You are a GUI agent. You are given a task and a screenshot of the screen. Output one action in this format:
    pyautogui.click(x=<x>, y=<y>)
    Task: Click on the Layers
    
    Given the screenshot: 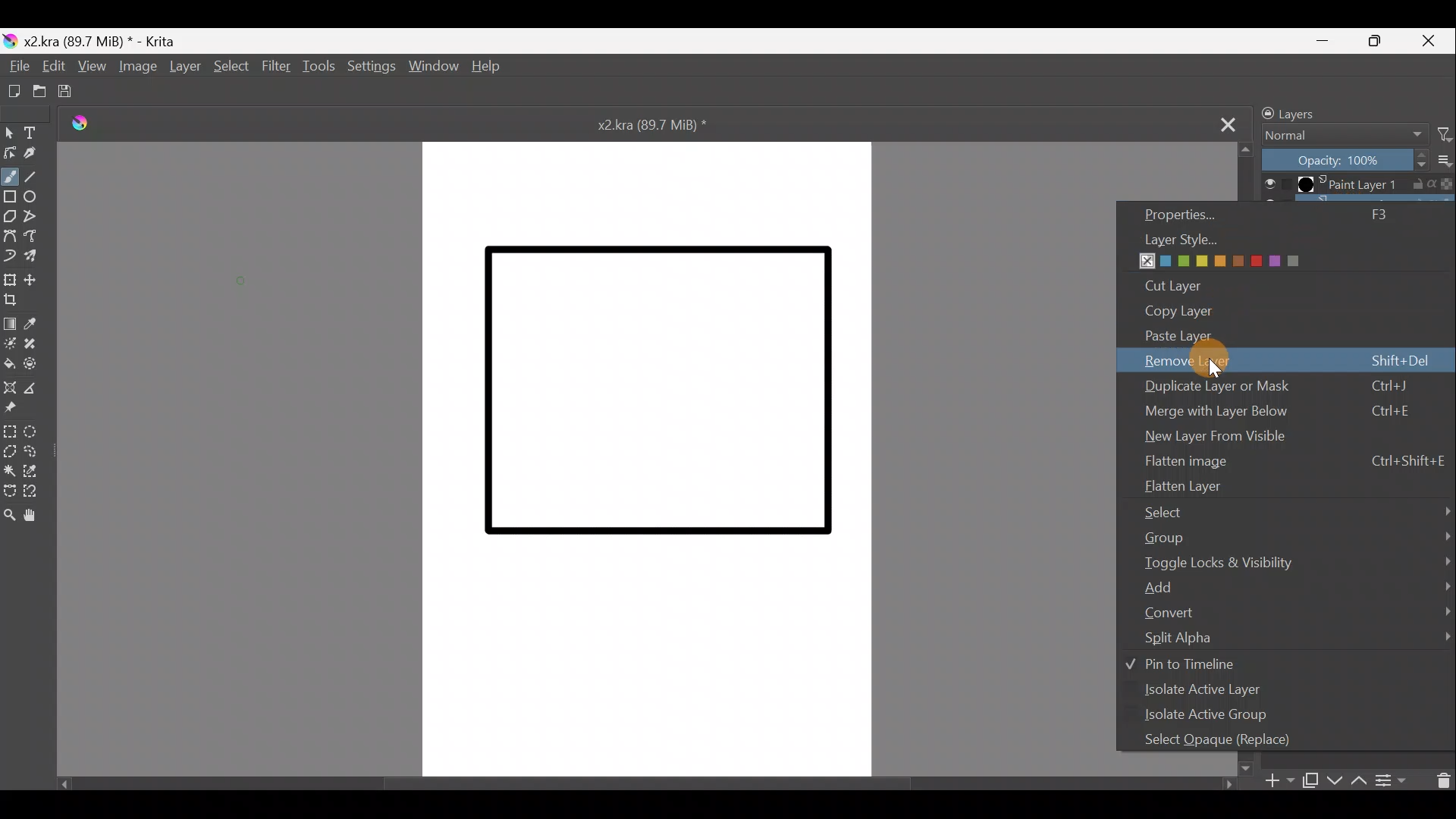 What is the action you would take?
    pyautogui.click(x=1303, y=111)
    